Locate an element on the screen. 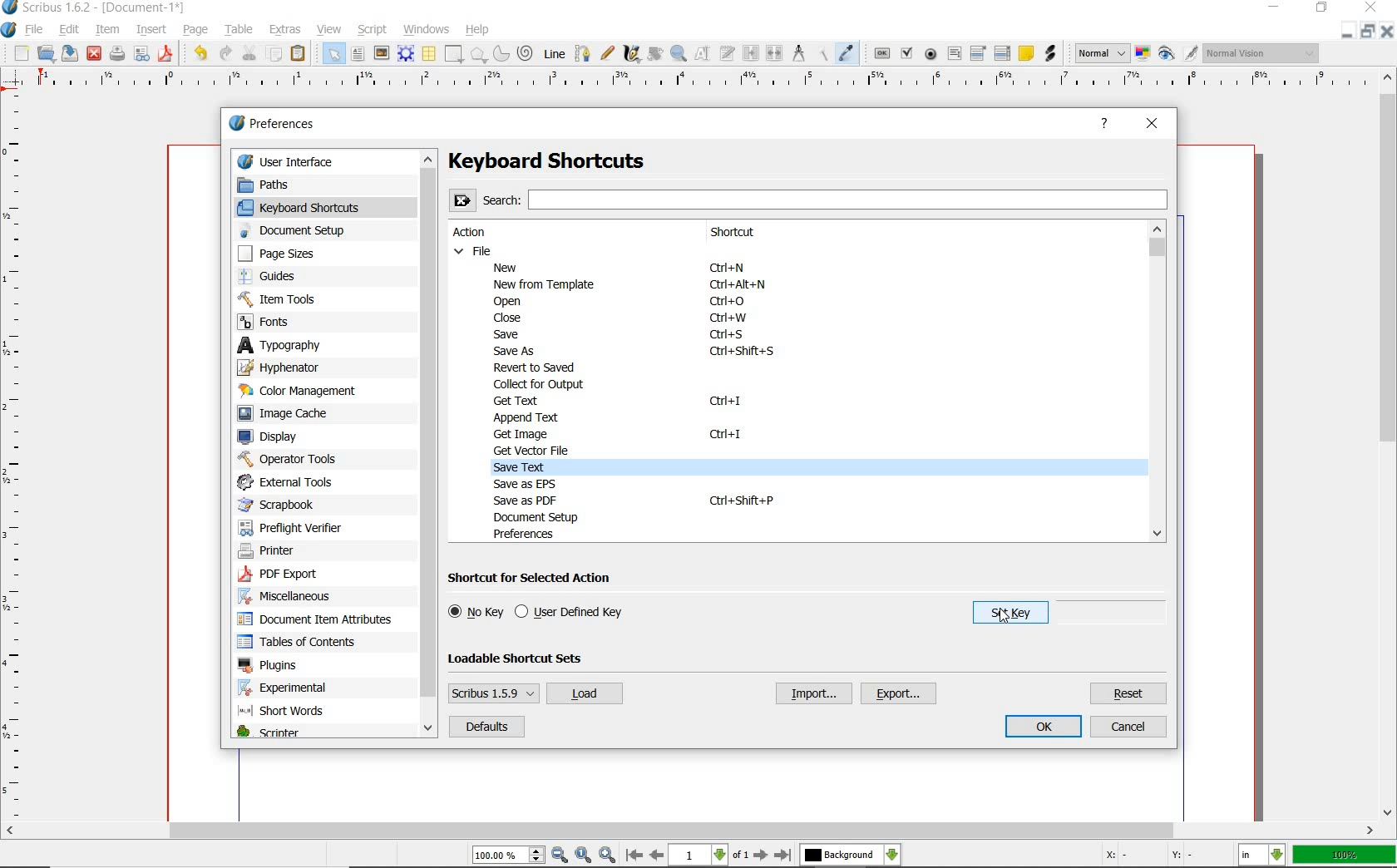  view is located at coordinates (330, 30).